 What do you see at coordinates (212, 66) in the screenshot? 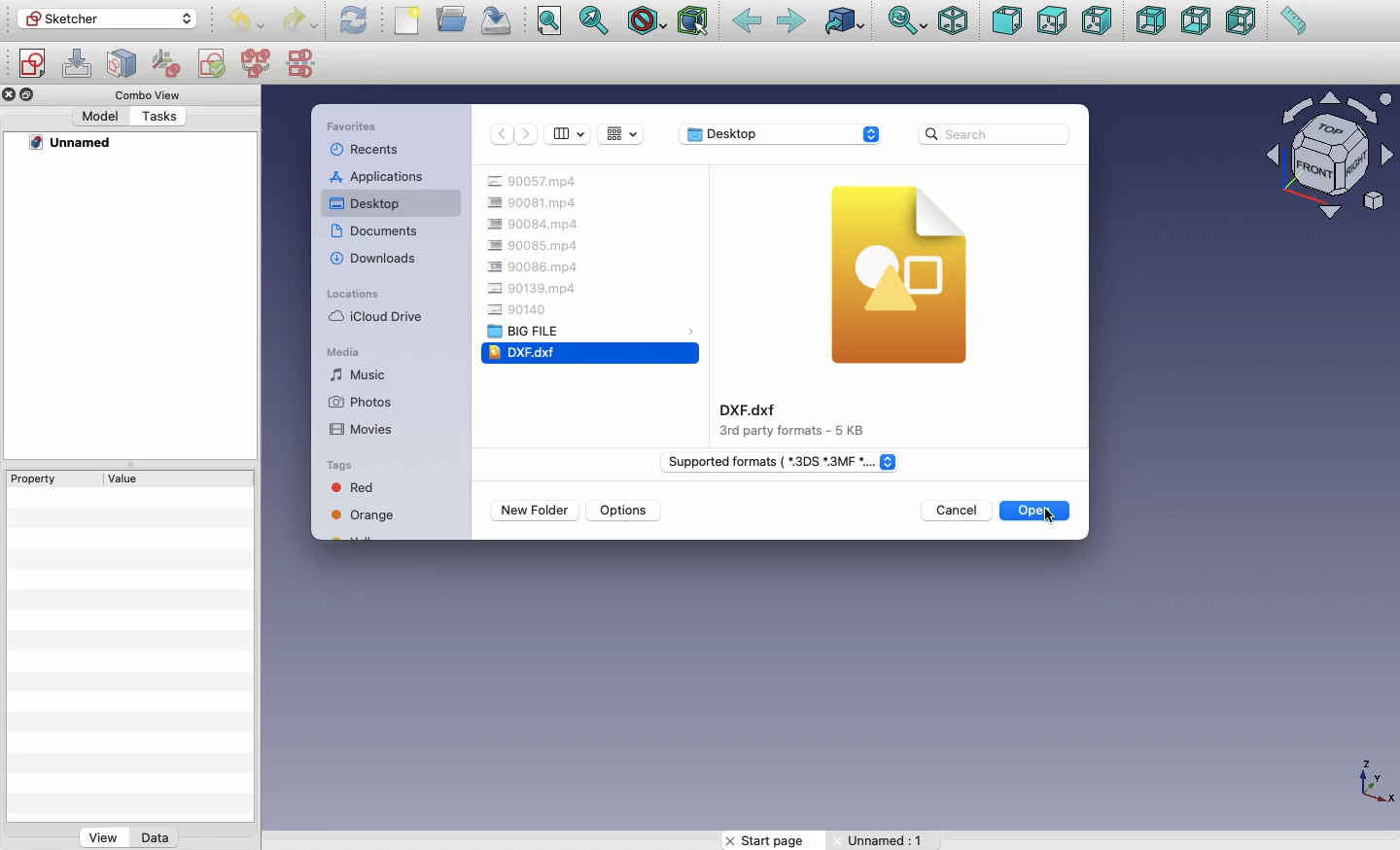
I see `Validate sketch` at bounding box center [212, 66].